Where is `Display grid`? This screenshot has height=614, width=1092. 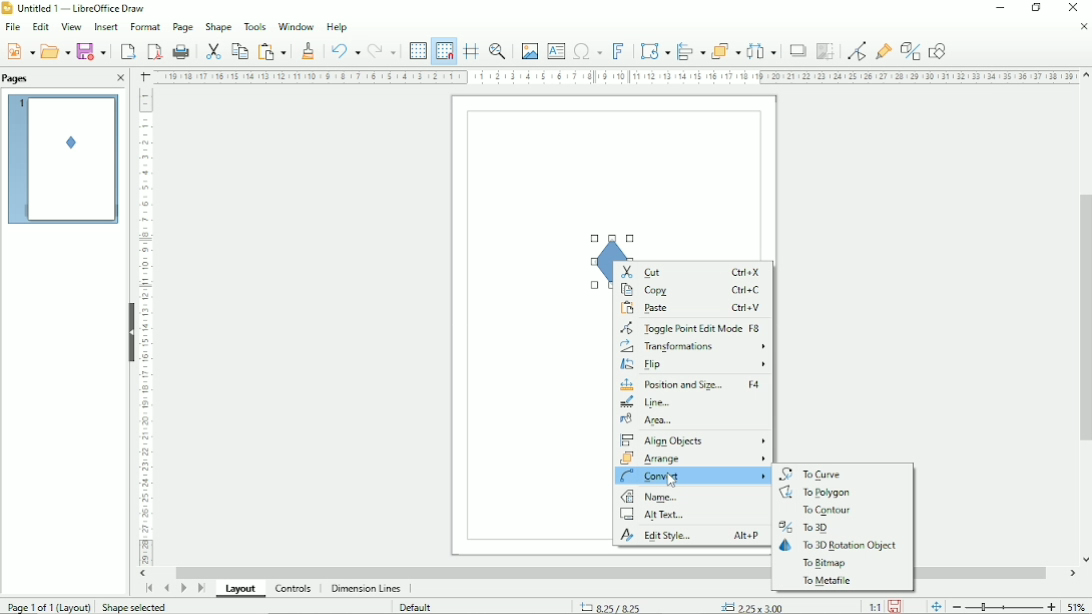
Display grid is located at coordinates (417, 49).